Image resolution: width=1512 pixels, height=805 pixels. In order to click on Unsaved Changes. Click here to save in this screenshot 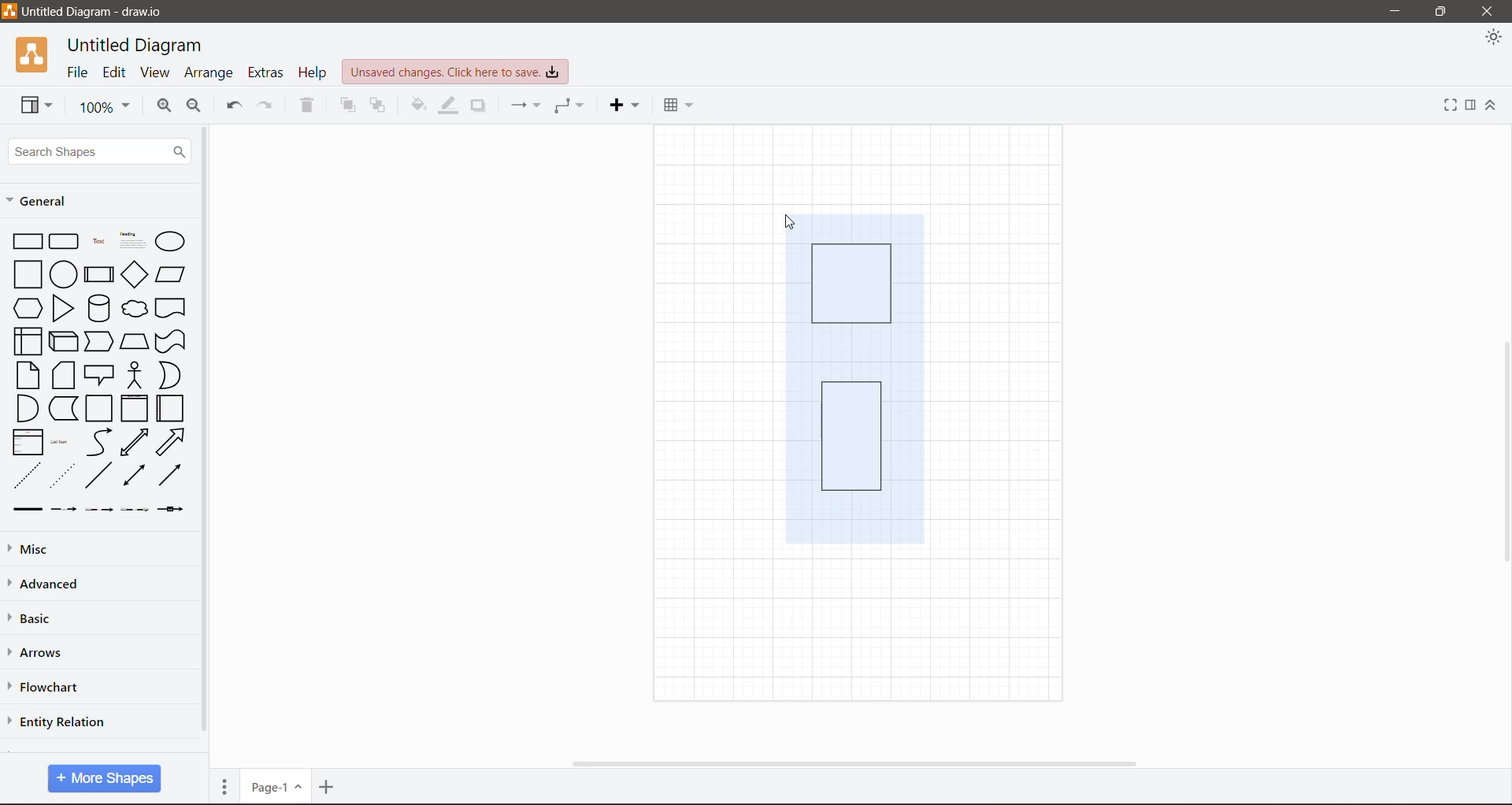, I will do `click(455, 73)`.